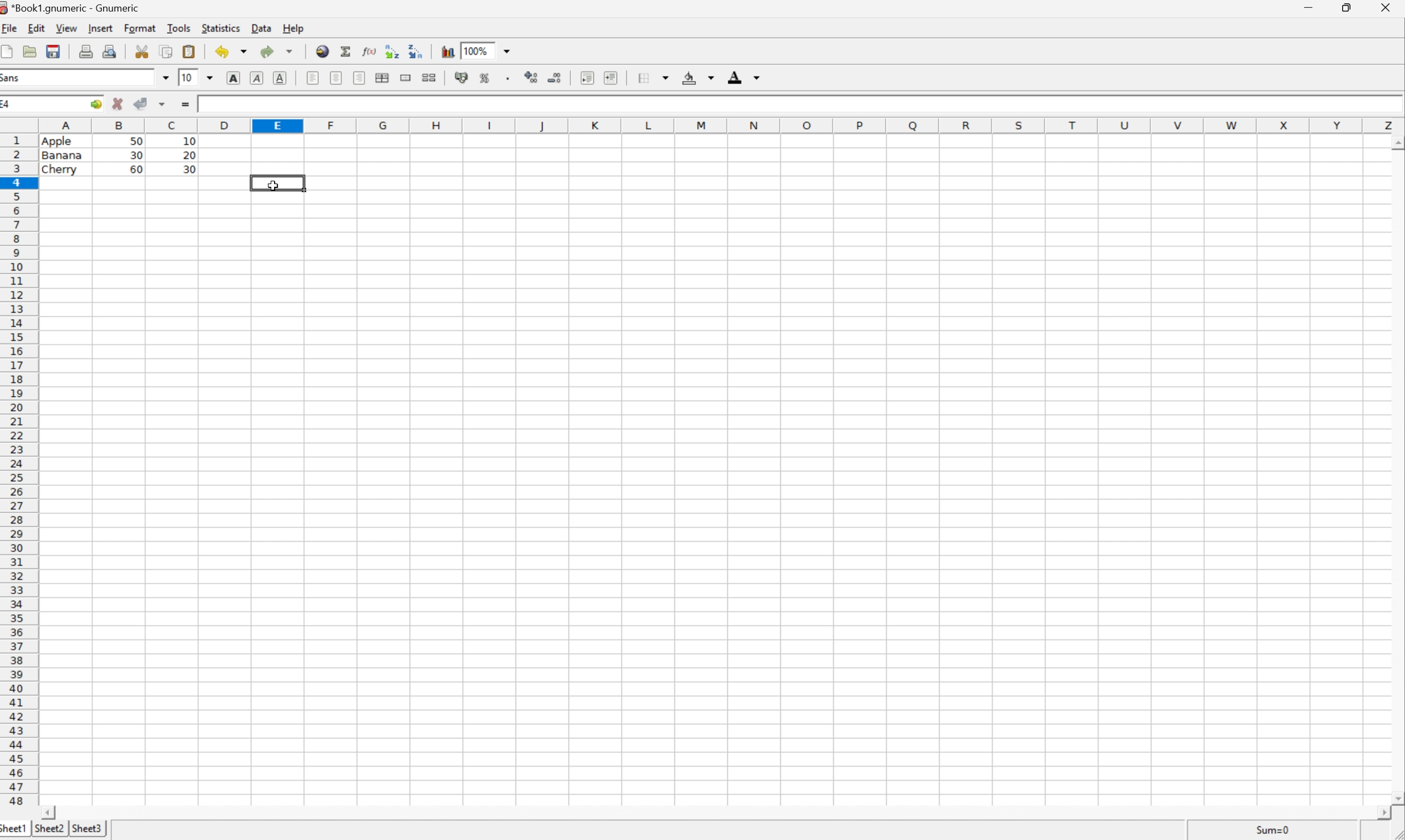 The width and height of the screenshot is (1405, 840). Describe the element at coordinates (488, 79) in the screenshot. I see `format selection as percentage` at that location.